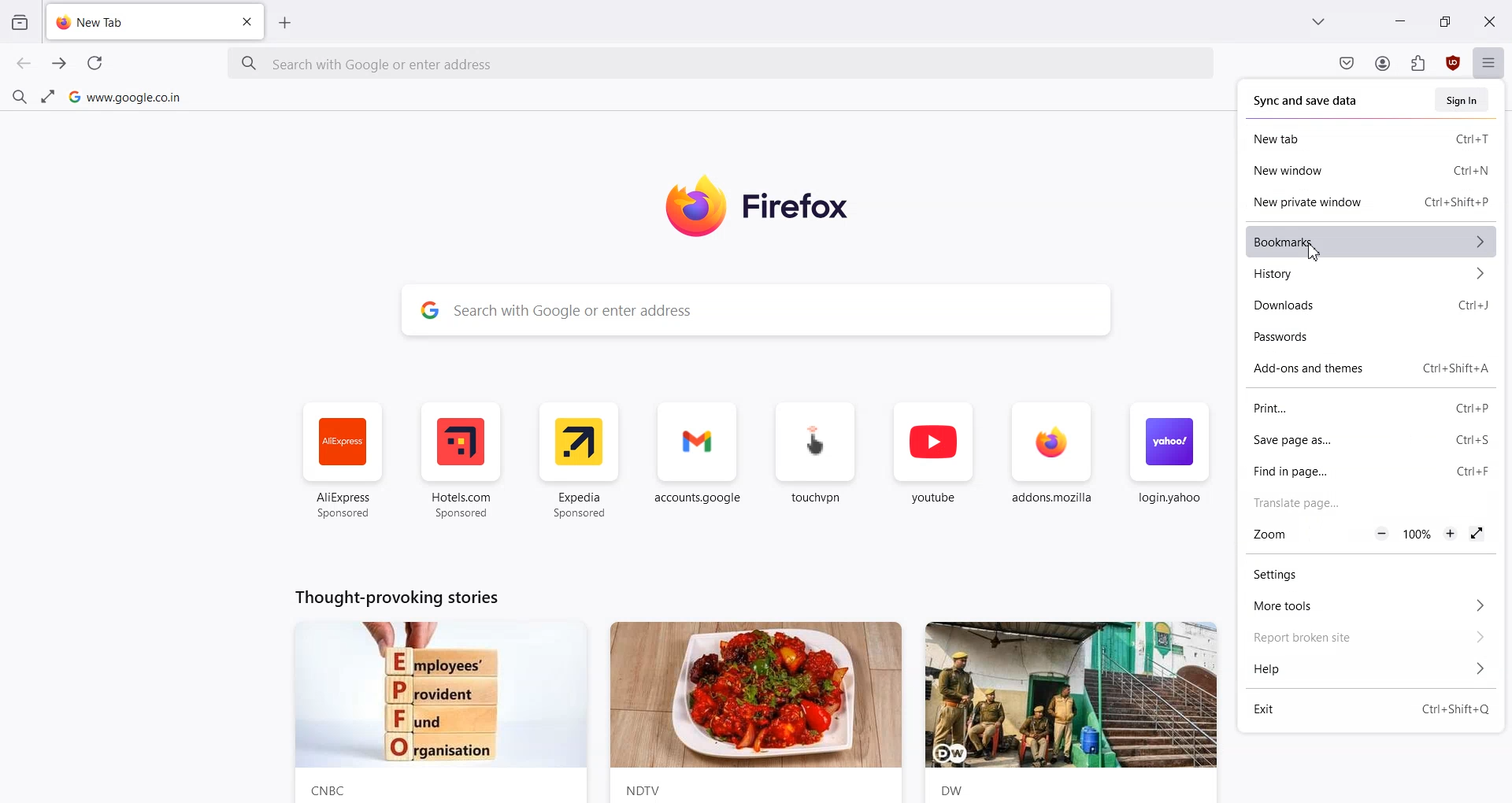  I want to click on Shortcut key, so click(1476, 305).